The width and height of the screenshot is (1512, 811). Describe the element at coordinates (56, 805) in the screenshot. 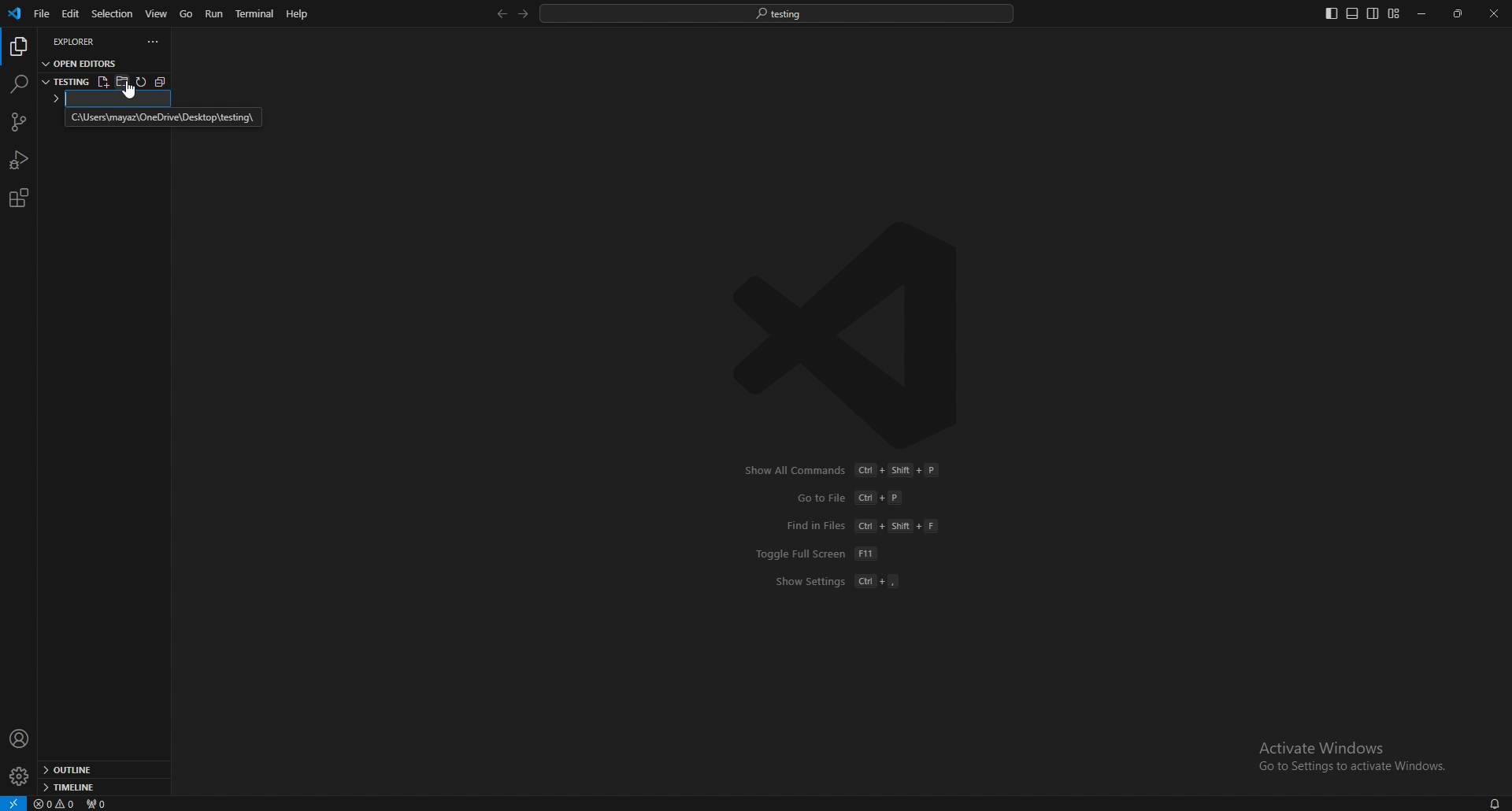

I see `errors` at that location.